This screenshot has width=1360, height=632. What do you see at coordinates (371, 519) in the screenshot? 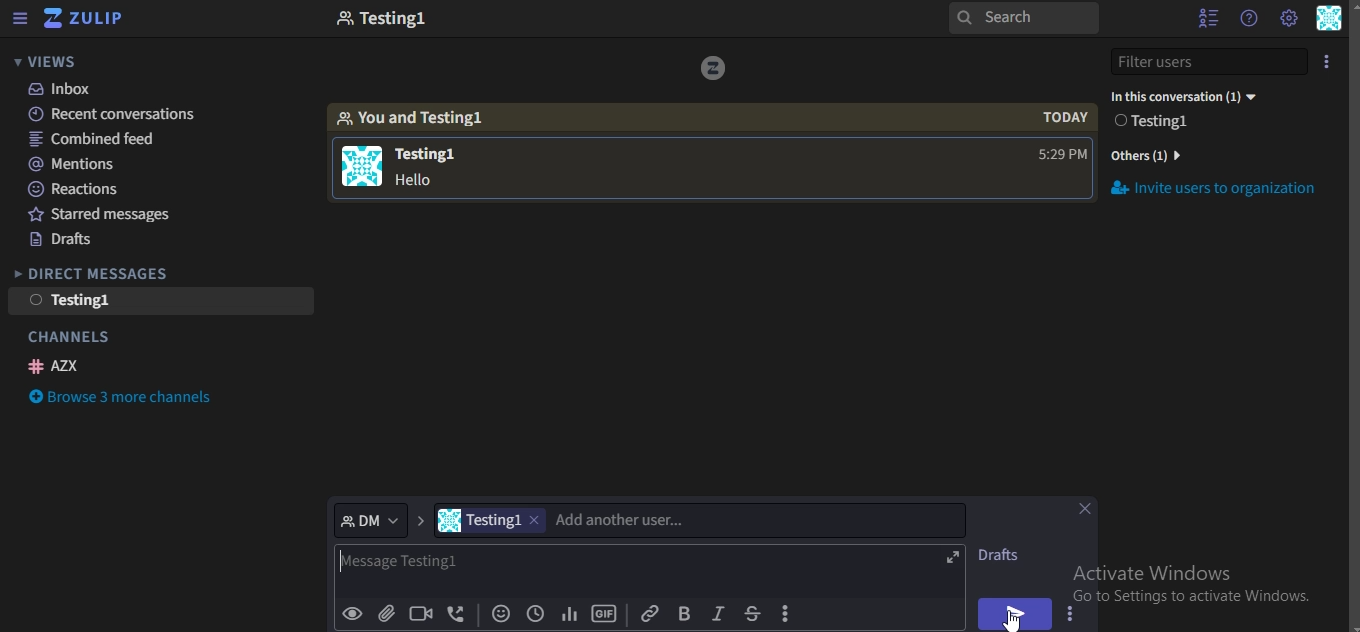
I see `DM` at bounding box center [371, 519].